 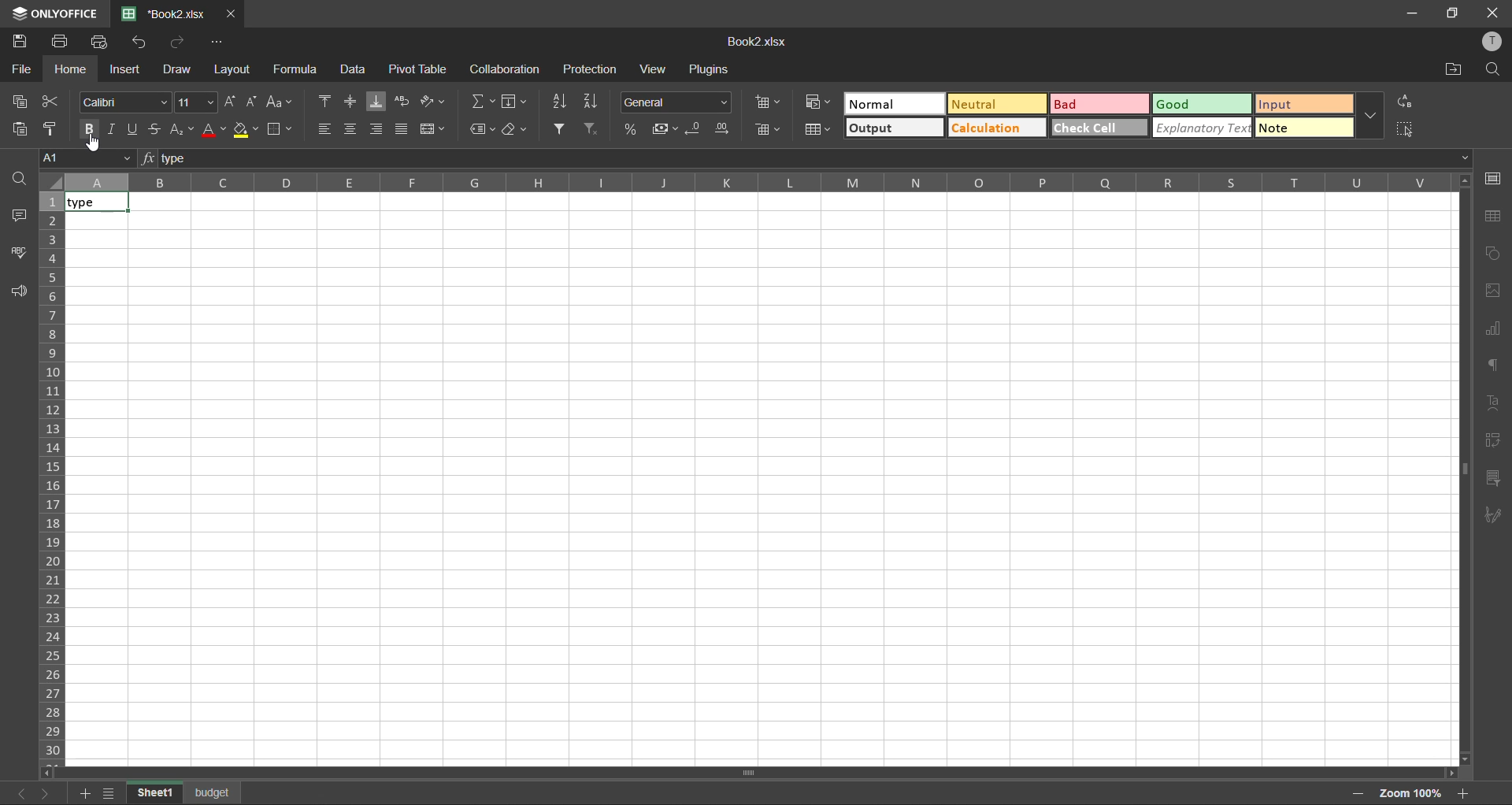 I want to click on conditional formatting, so click(x=817, y=102).